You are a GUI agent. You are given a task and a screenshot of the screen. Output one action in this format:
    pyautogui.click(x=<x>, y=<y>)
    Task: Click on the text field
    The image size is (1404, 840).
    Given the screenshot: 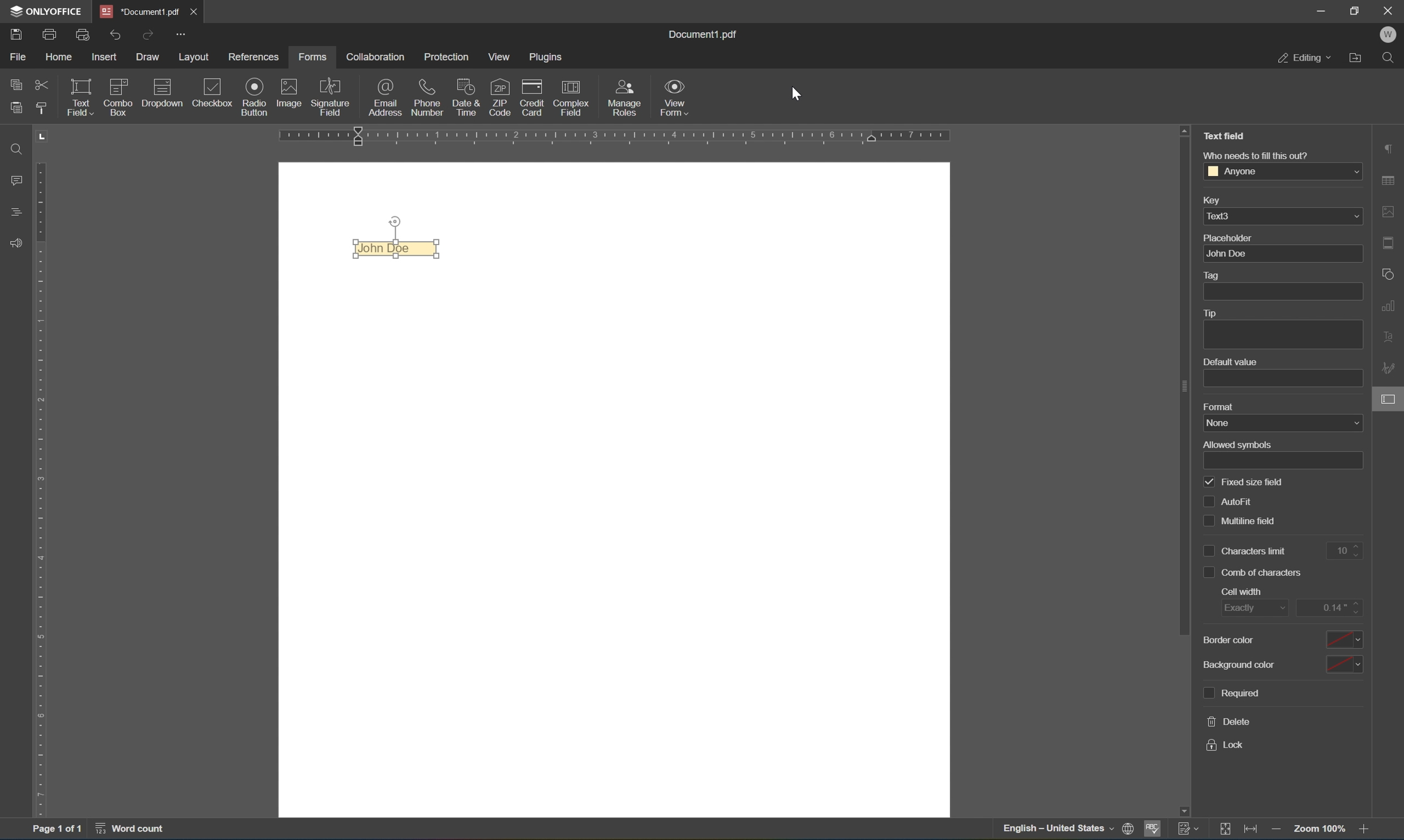 What is the action you would take?
    pyautogui.click(x=80, y=96)
    